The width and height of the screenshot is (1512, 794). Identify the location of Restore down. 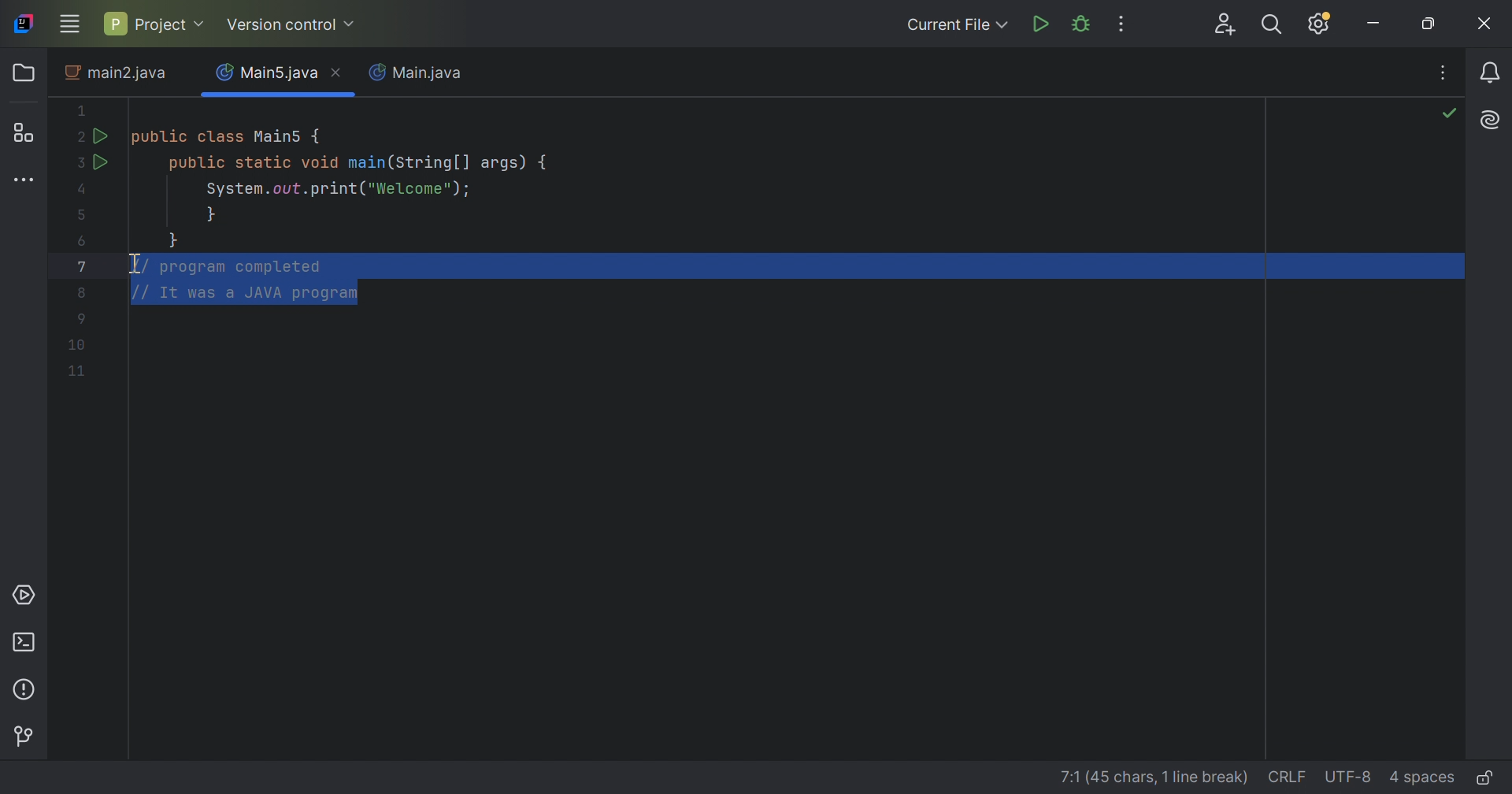
(1432, 25).